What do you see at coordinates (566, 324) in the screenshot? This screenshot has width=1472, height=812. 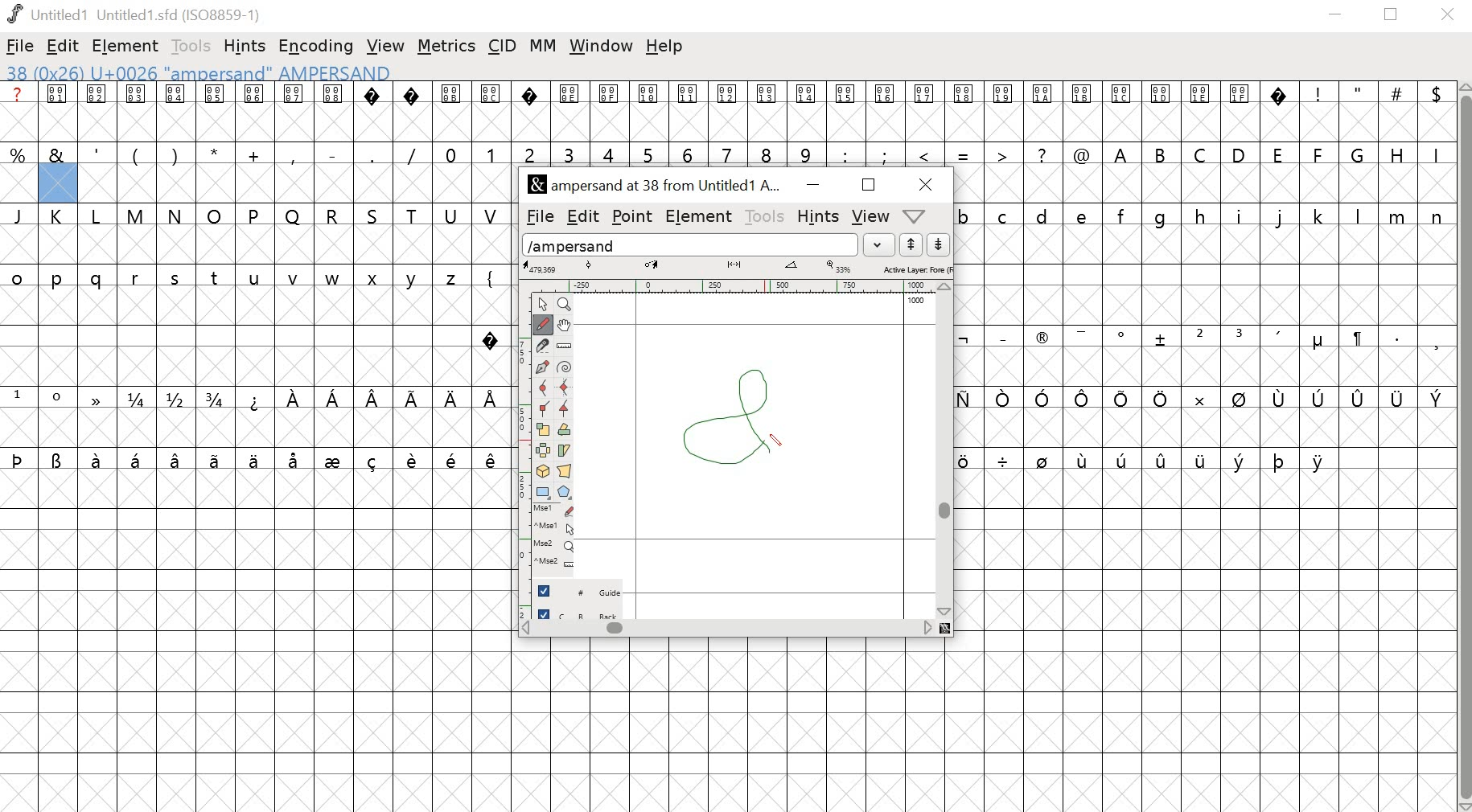 I see `scroll by hand` at bounding box center [566, 324].